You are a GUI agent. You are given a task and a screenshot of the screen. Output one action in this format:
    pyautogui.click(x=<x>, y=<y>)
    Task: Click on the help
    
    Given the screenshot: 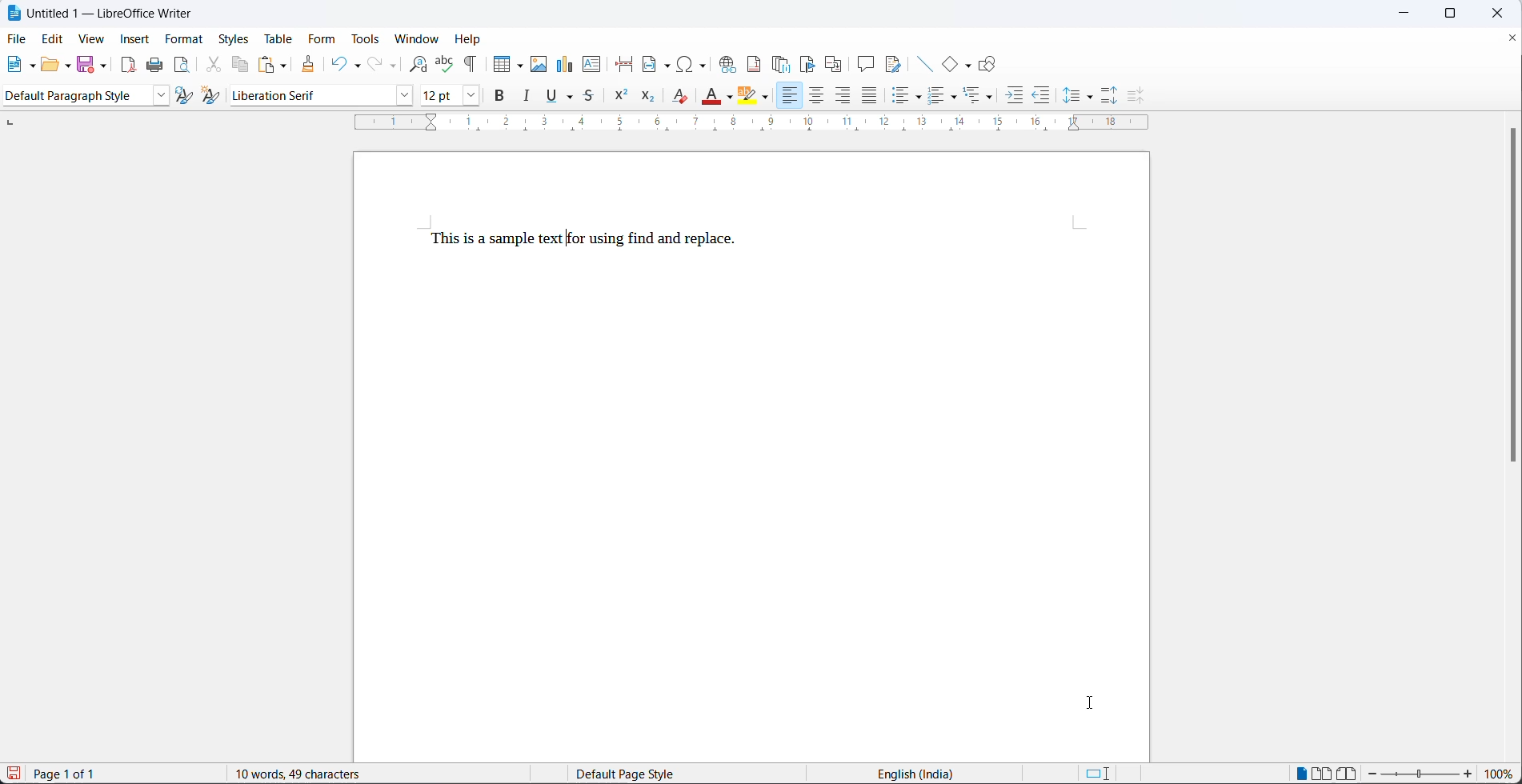 What is the action you would take?
    pyautogui.click(x=473, y=38)
    